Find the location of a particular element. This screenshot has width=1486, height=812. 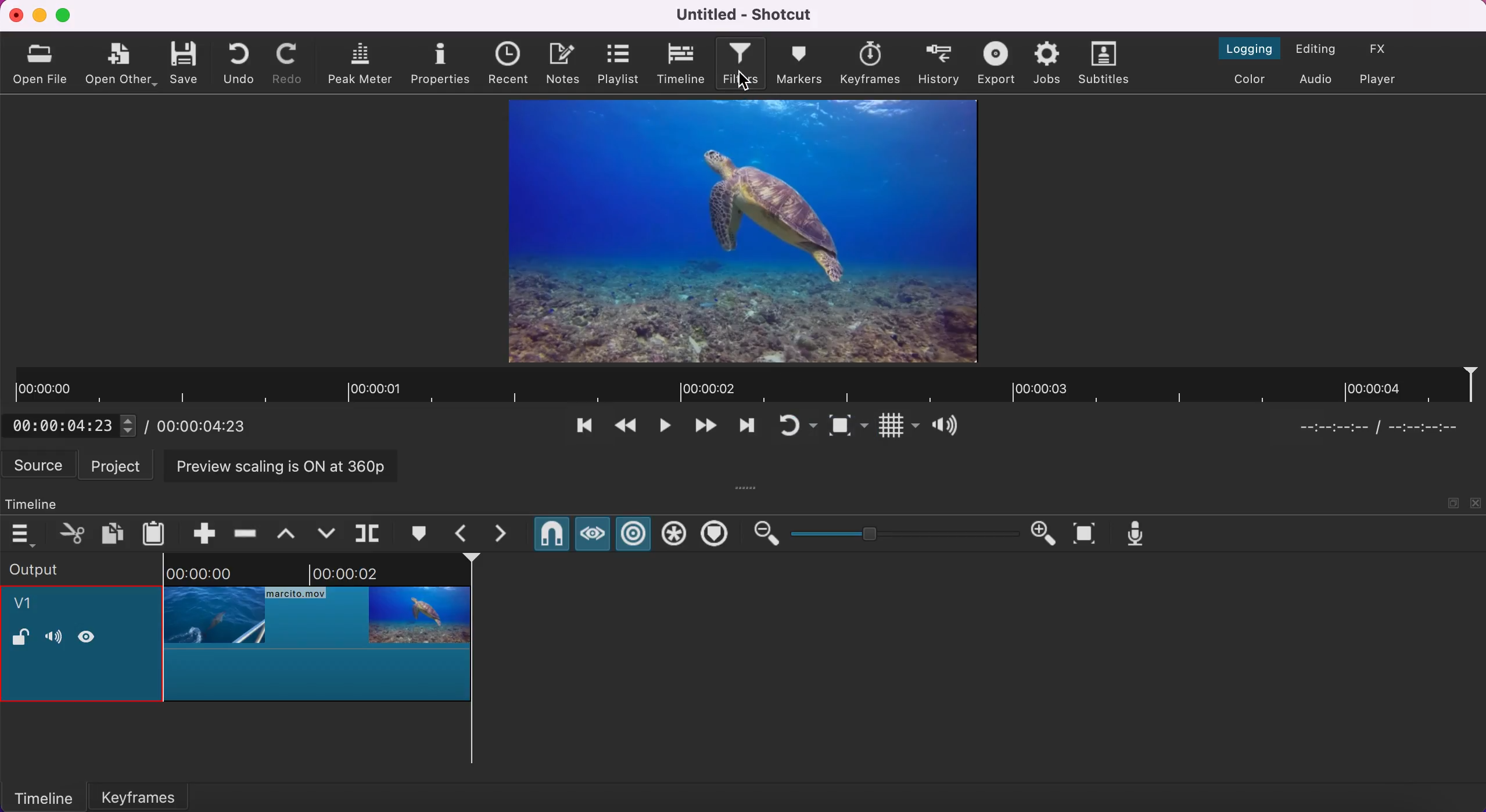

hide is located at coordinates (91, 636).